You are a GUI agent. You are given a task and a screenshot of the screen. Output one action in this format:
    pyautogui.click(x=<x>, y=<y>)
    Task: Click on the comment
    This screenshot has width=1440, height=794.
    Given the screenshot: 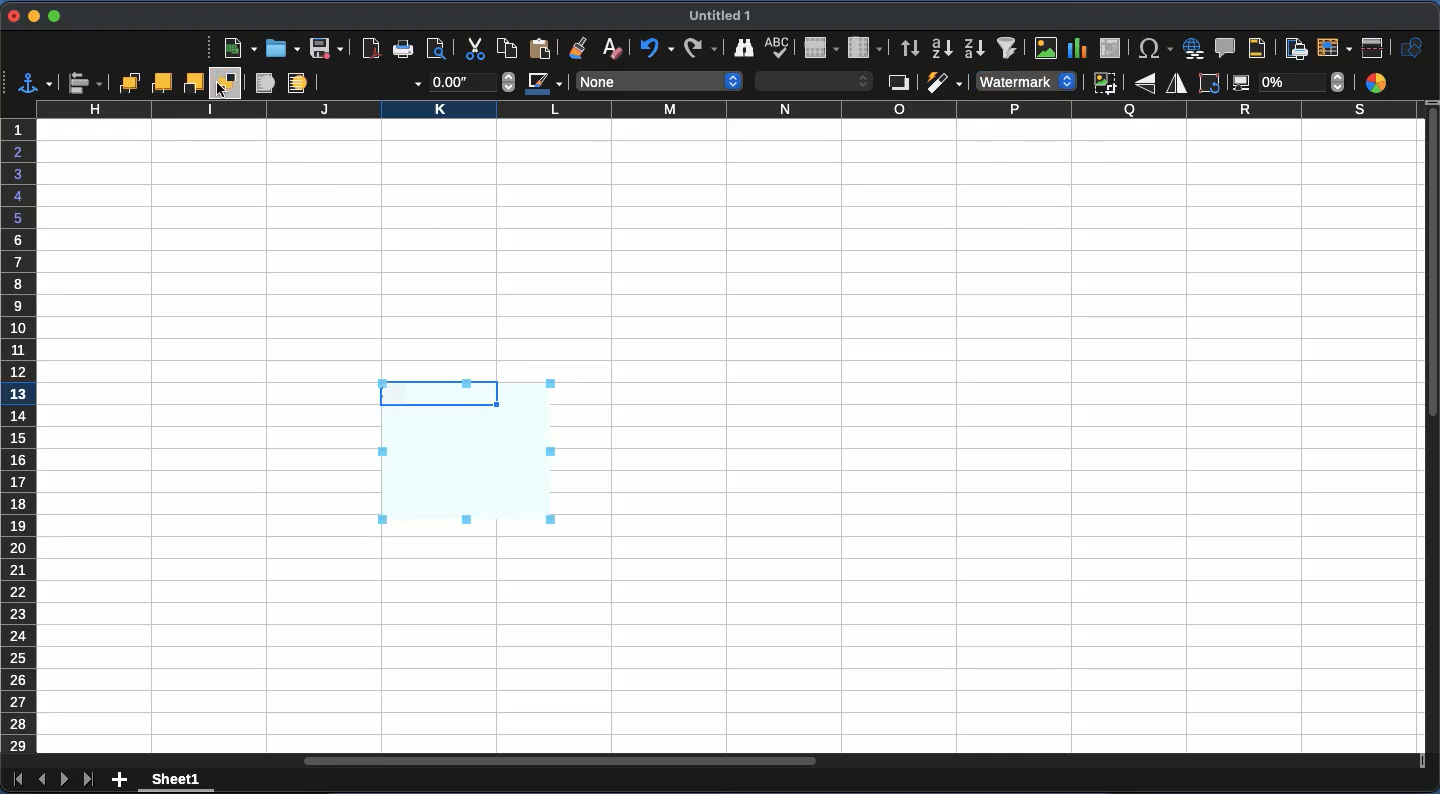 What is the action you would take?
    pyautogui.click(x=1226, y=47)
    